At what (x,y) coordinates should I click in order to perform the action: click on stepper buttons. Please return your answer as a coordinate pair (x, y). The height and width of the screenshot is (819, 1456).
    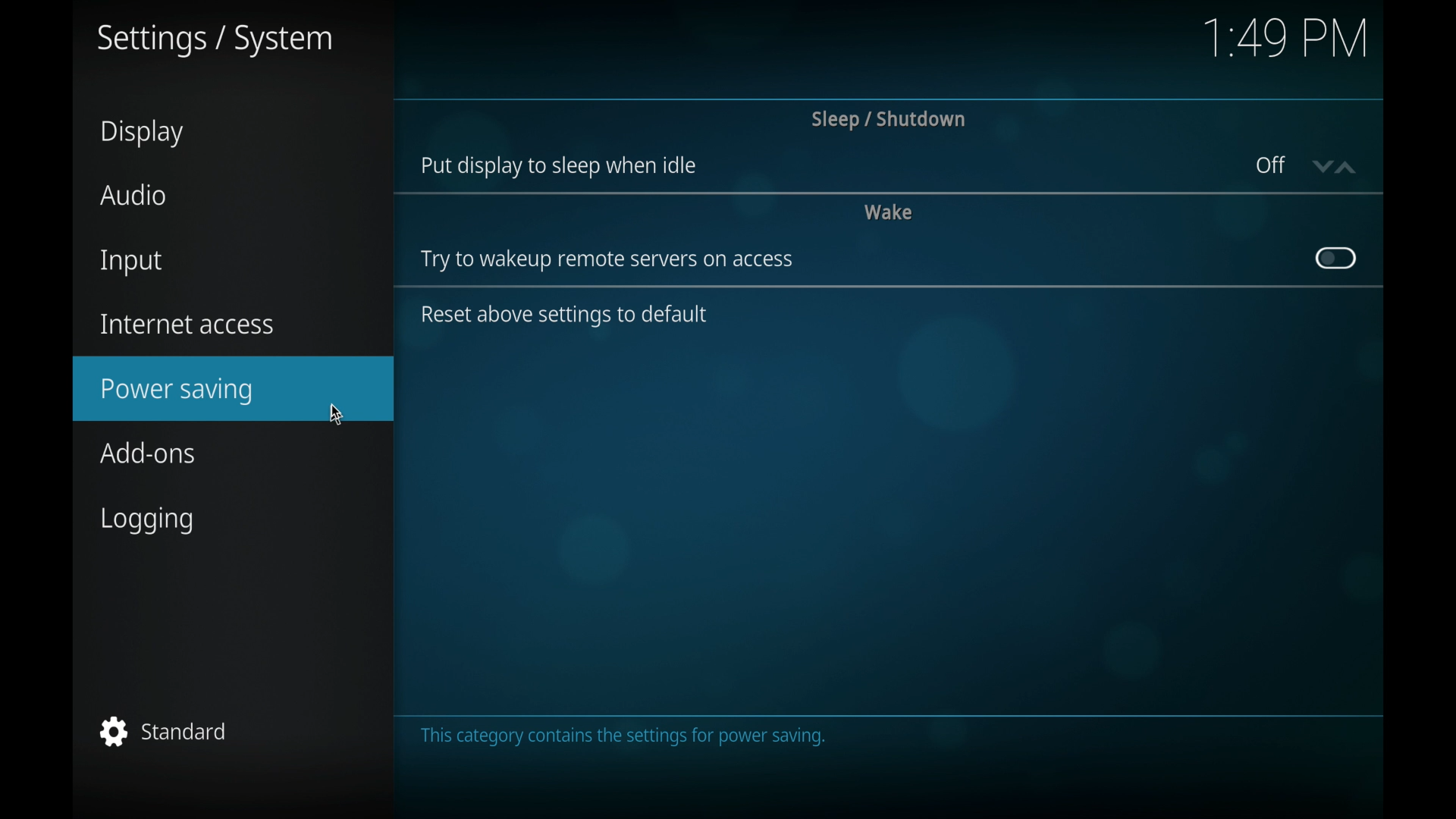
    Looking at the image, I should click on (1333, 166).